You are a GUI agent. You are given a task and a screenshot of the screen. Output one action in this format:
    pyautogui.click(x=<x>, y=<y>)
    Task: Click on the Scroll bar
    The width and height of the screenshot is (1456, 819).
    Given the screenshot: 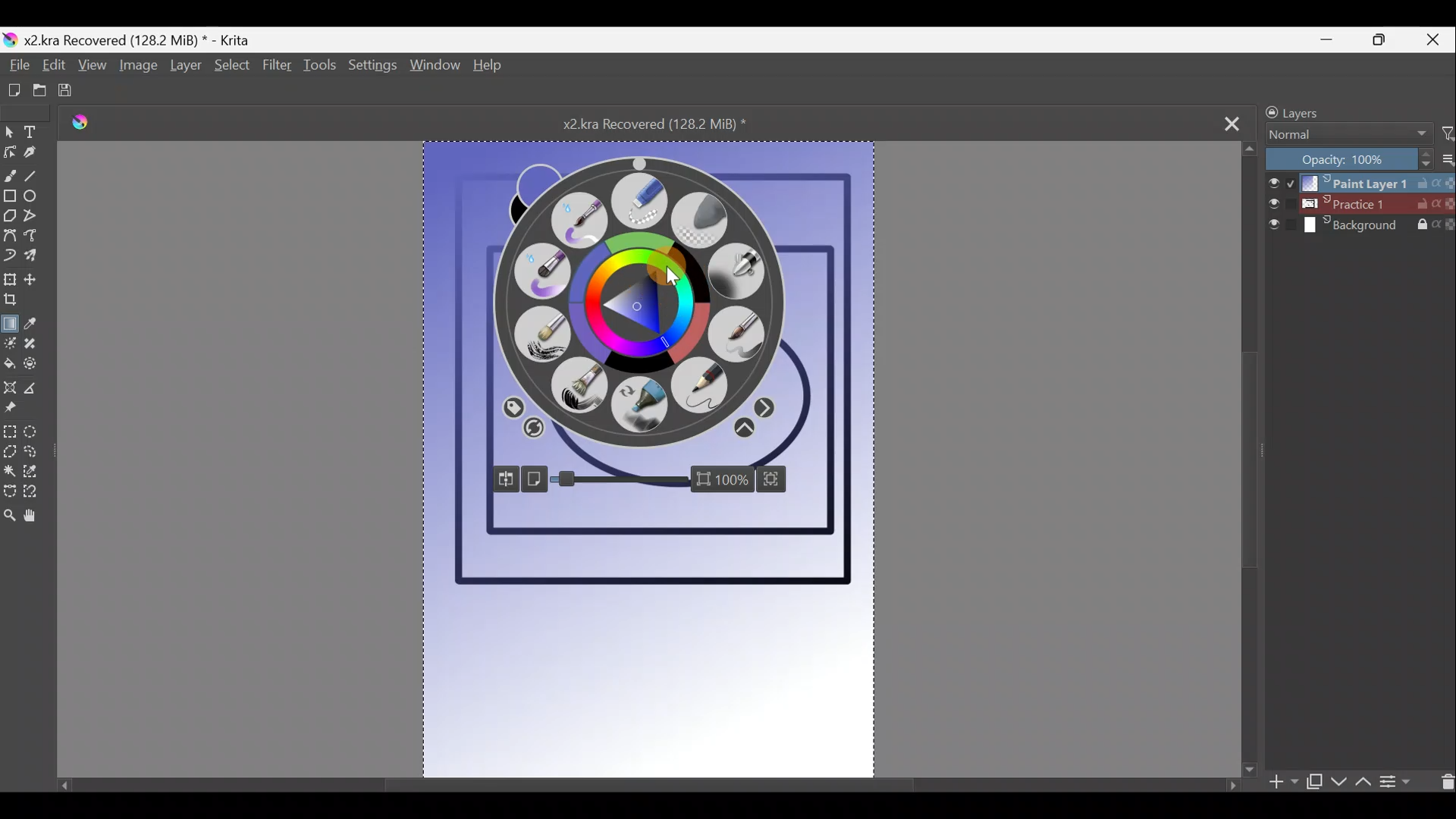 What is the action you would take?
    pyautogui.click(x=644, y=780)
    